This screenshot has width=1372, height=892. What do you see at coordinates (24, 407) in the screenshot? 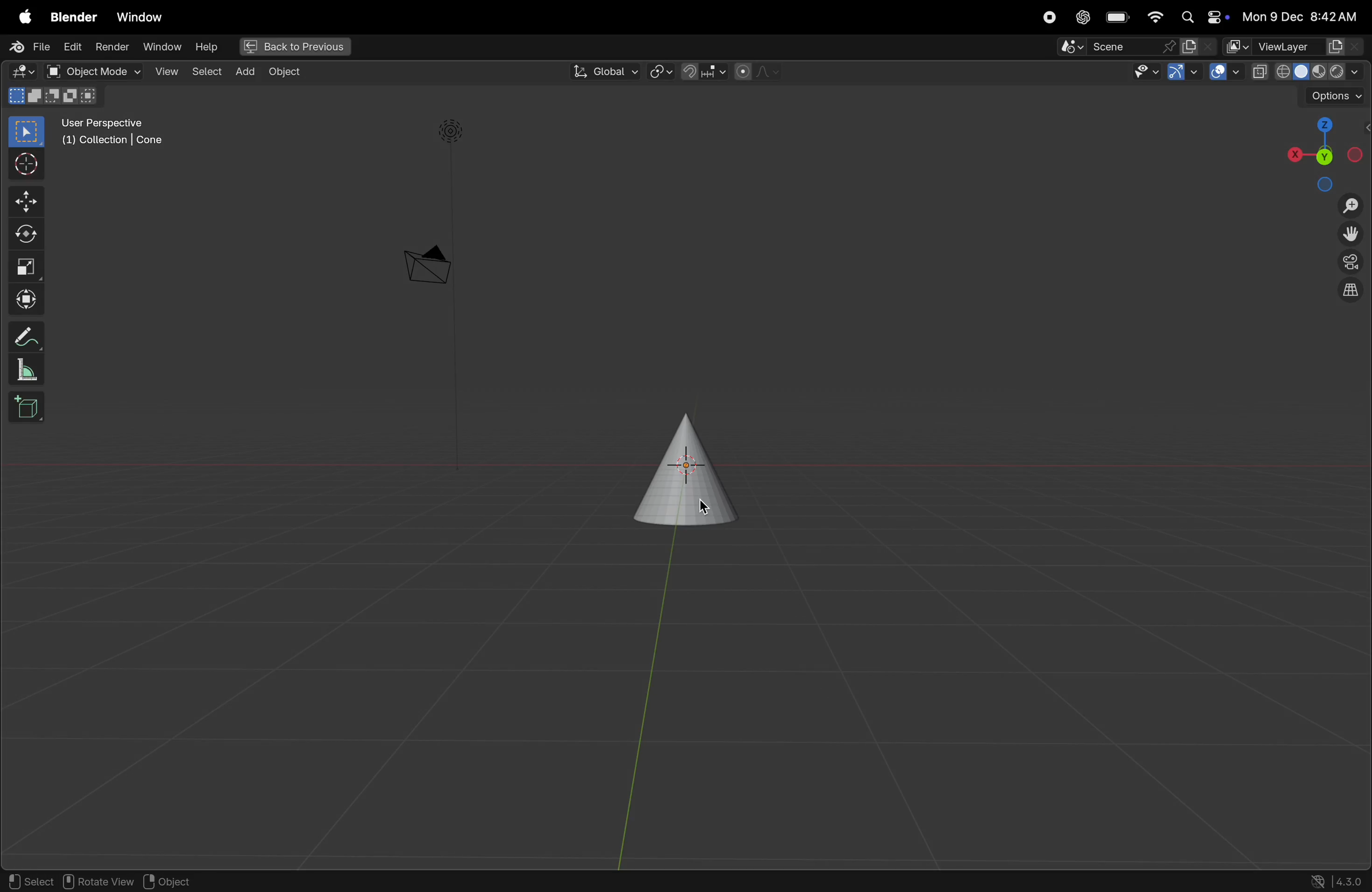
I see `add cube` at bounding box center [24, 407].